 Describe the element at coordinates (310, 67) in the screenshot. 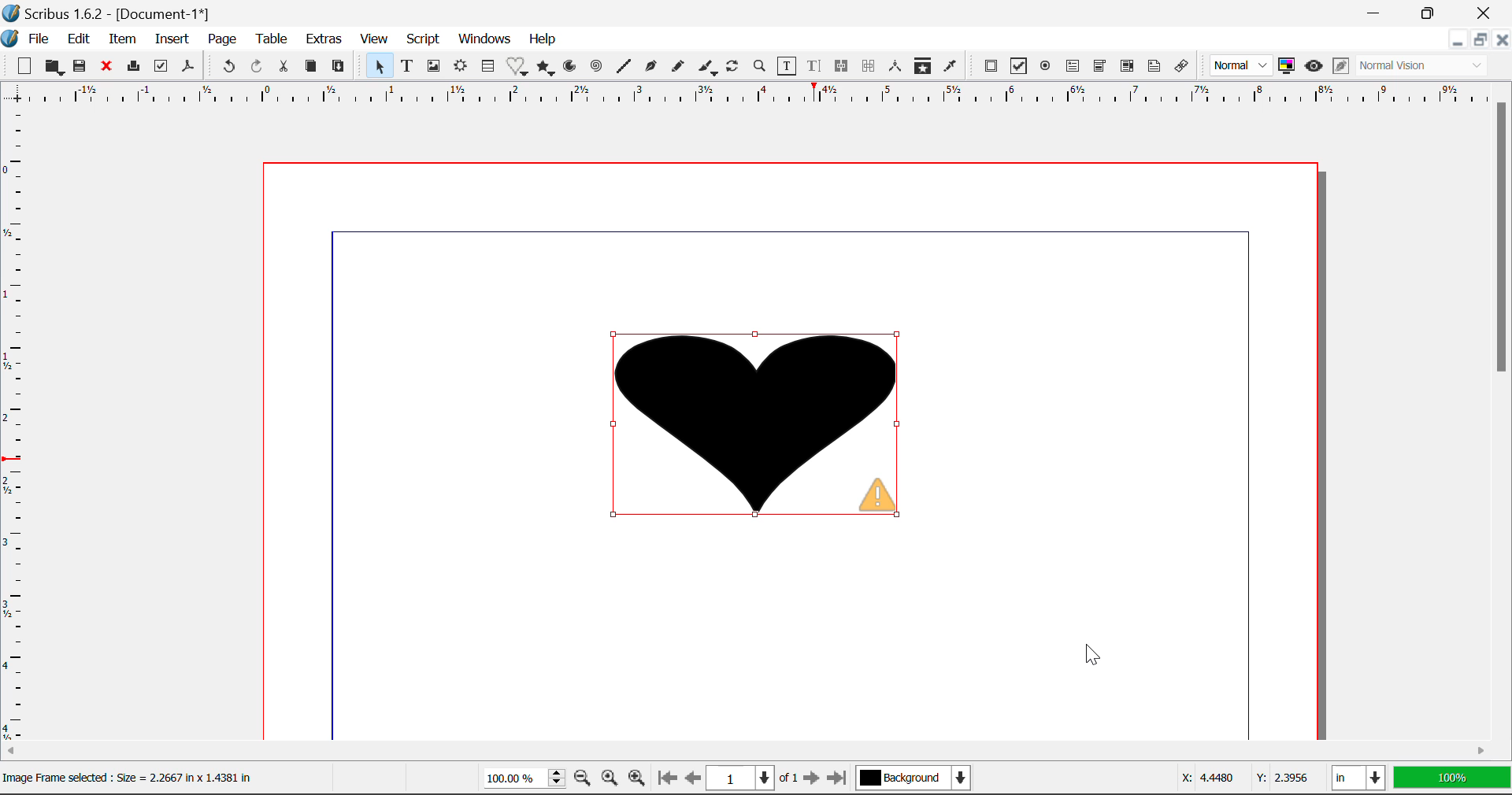

I see `Copy` at that location.